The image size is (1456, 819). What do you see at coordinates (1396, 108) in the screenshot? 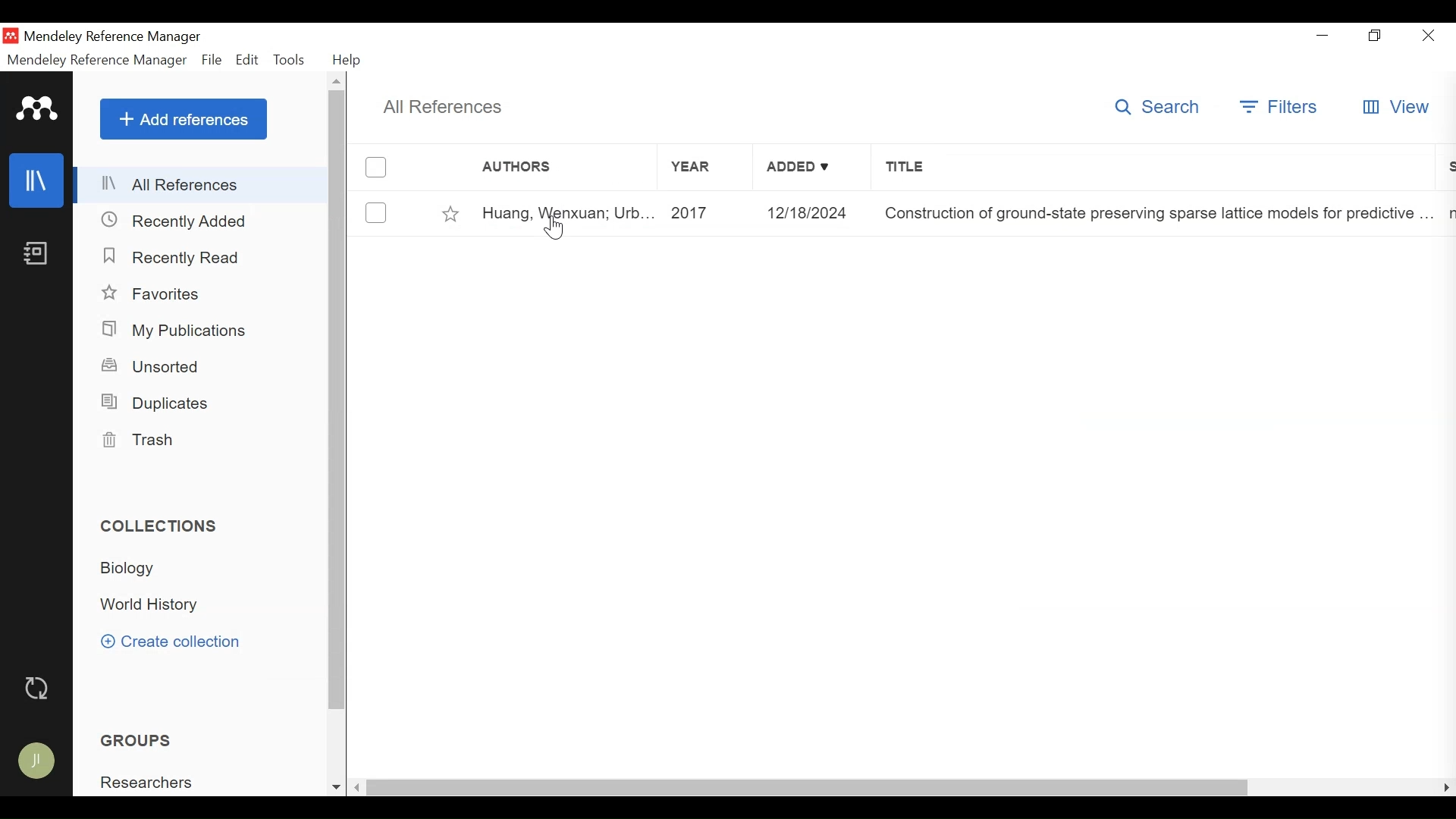
I see `View` at bounding box center [1396, 108].